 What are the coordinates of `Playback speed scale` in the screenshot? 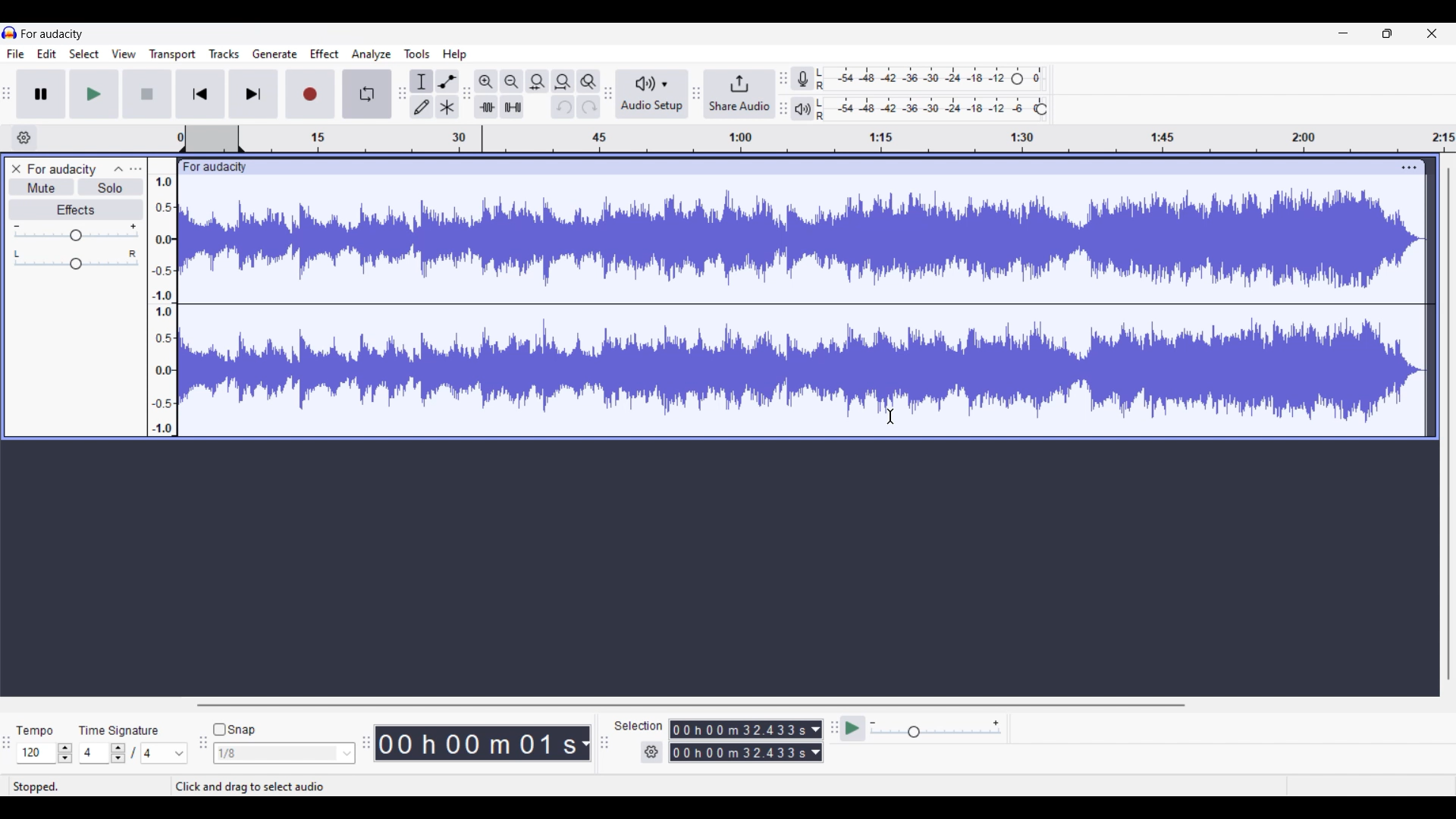 It's located at (936, 728).